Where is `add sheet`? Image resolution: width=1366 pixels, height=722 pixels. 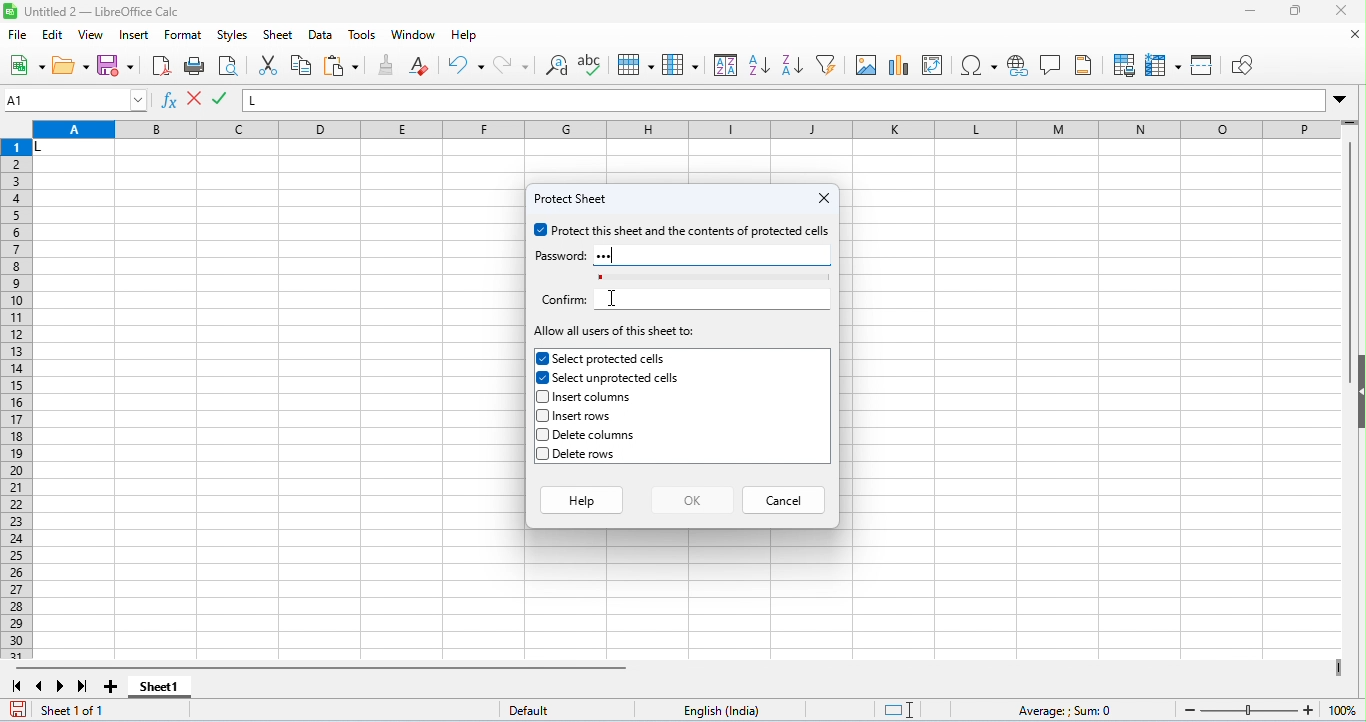 add sheet is located at coordinates (114, 687).